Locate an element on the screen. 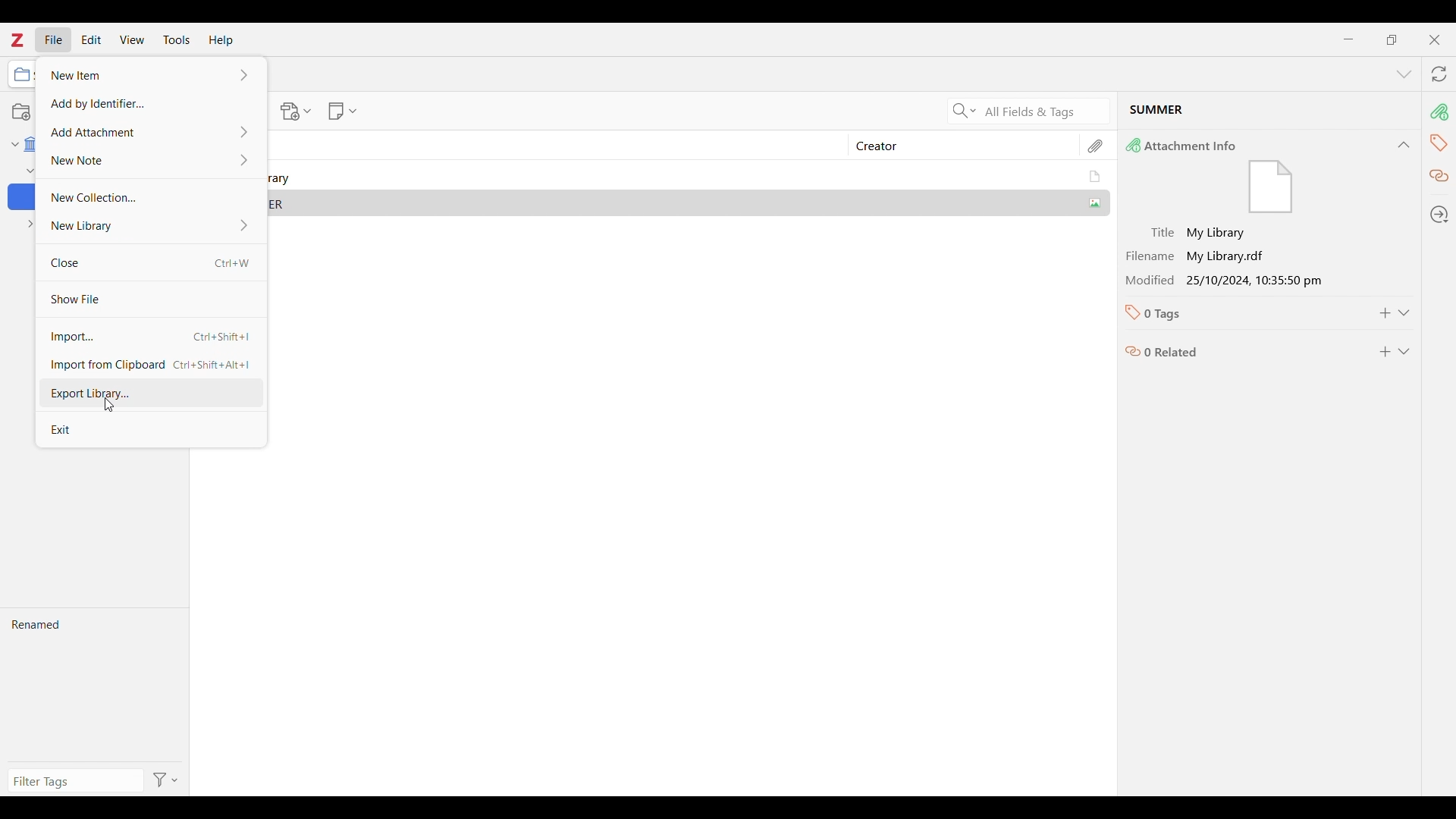 Image resolution: width=1456 pixels, height=819 pixels. New note  is located at coordinates (151, 161).